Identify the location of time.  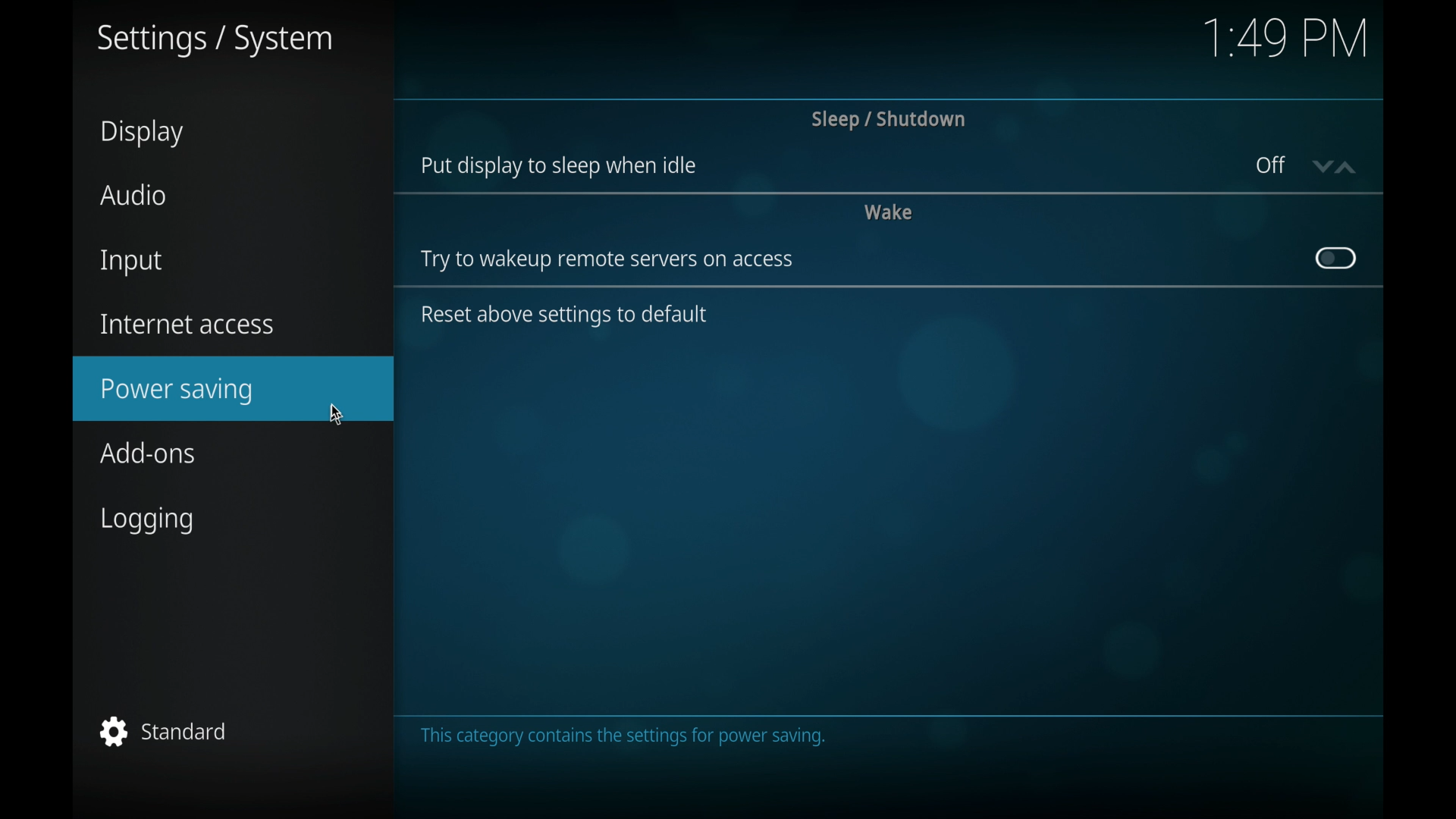
(1285, 37).